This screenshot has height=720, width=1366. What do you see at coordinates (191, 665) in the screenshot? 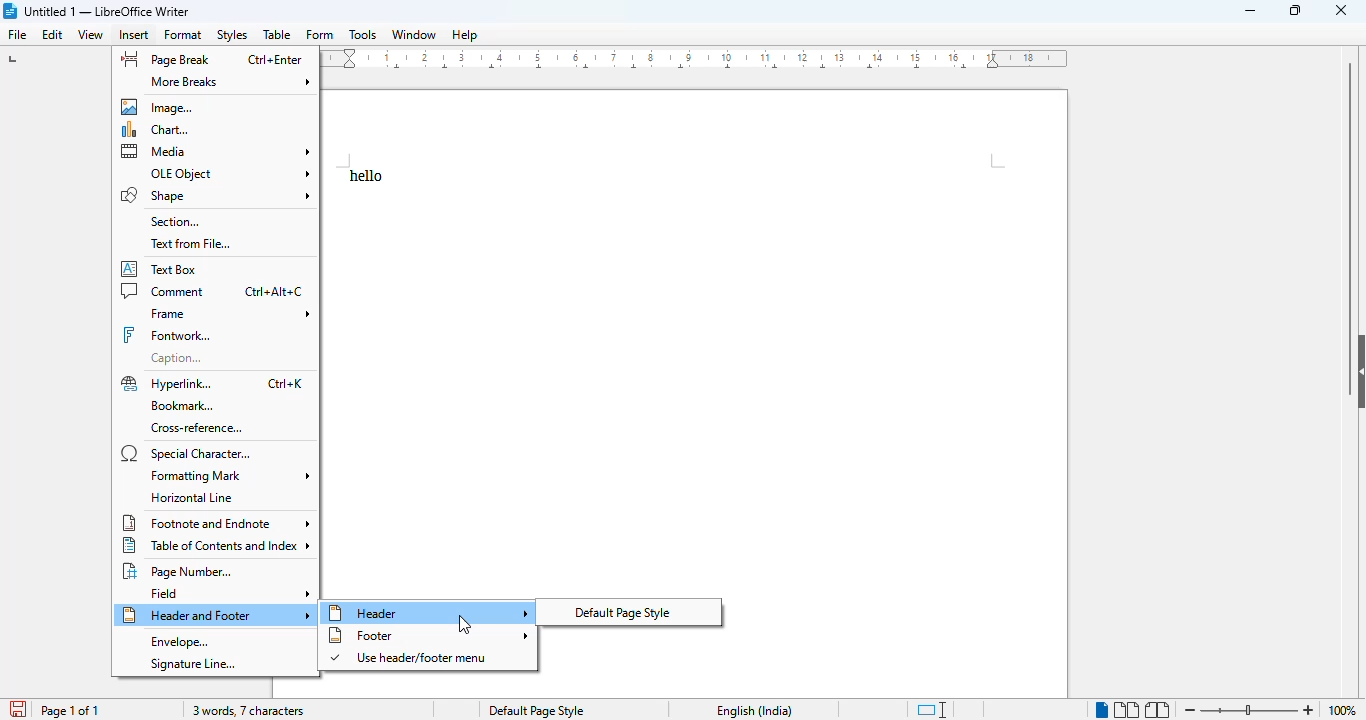
I see `signature line` at bounding box center [191, 665].